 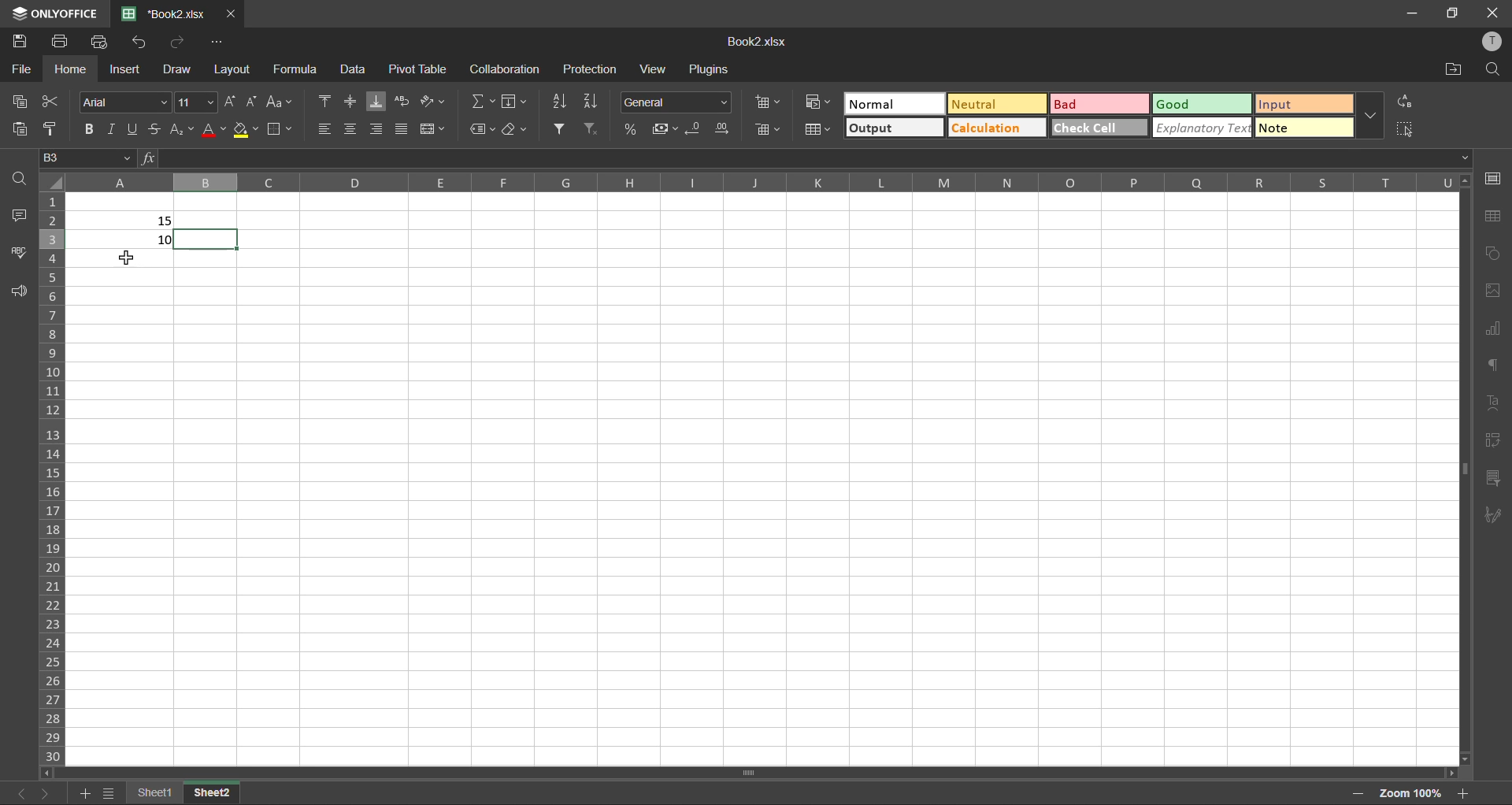 What do you see at coordinates (1493, 253) in the screenshot?
I see `shapes` at bounding box center [1493, 253].